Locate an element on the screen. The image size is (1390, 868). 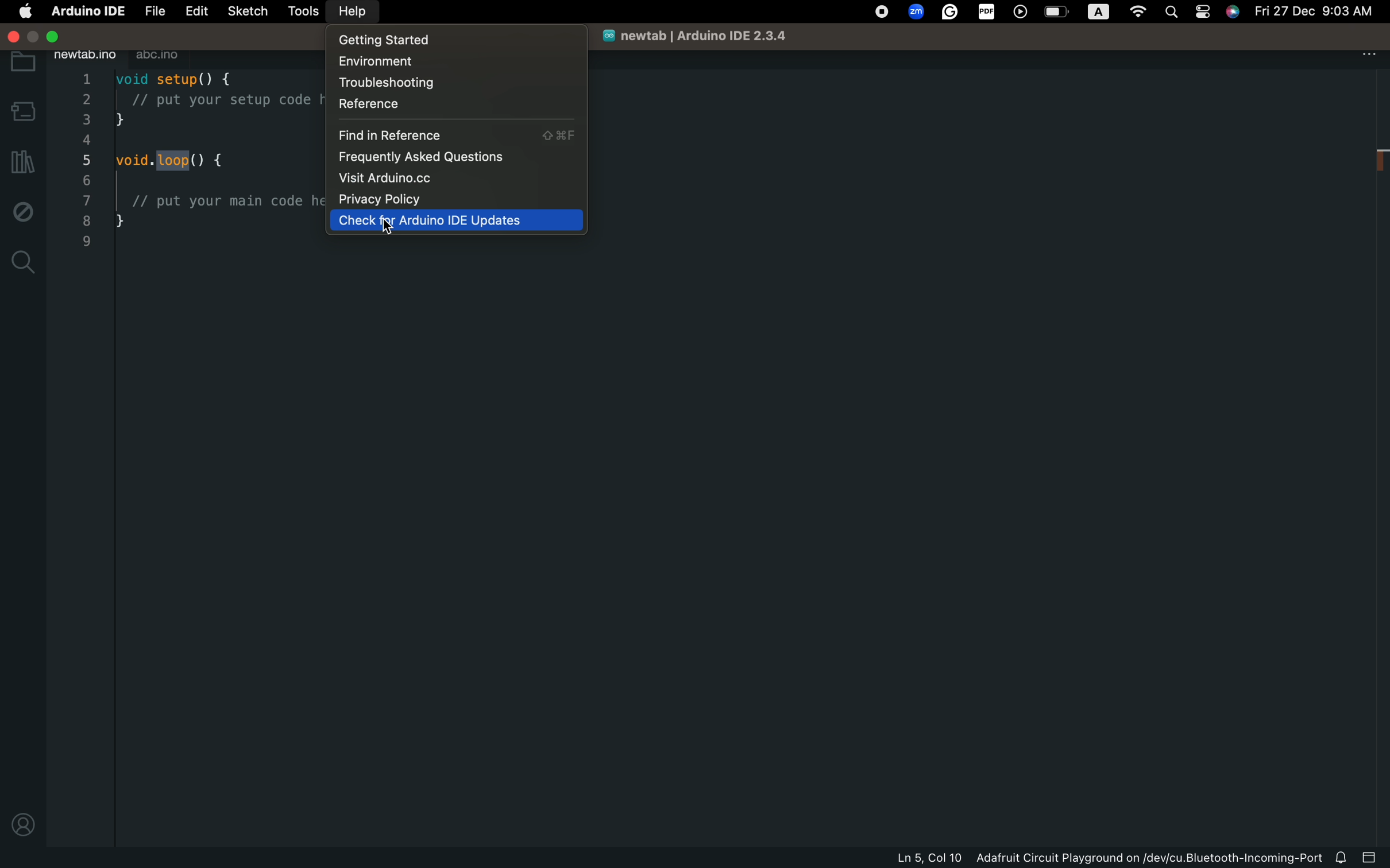
window control is located at coordinates (11, 36).